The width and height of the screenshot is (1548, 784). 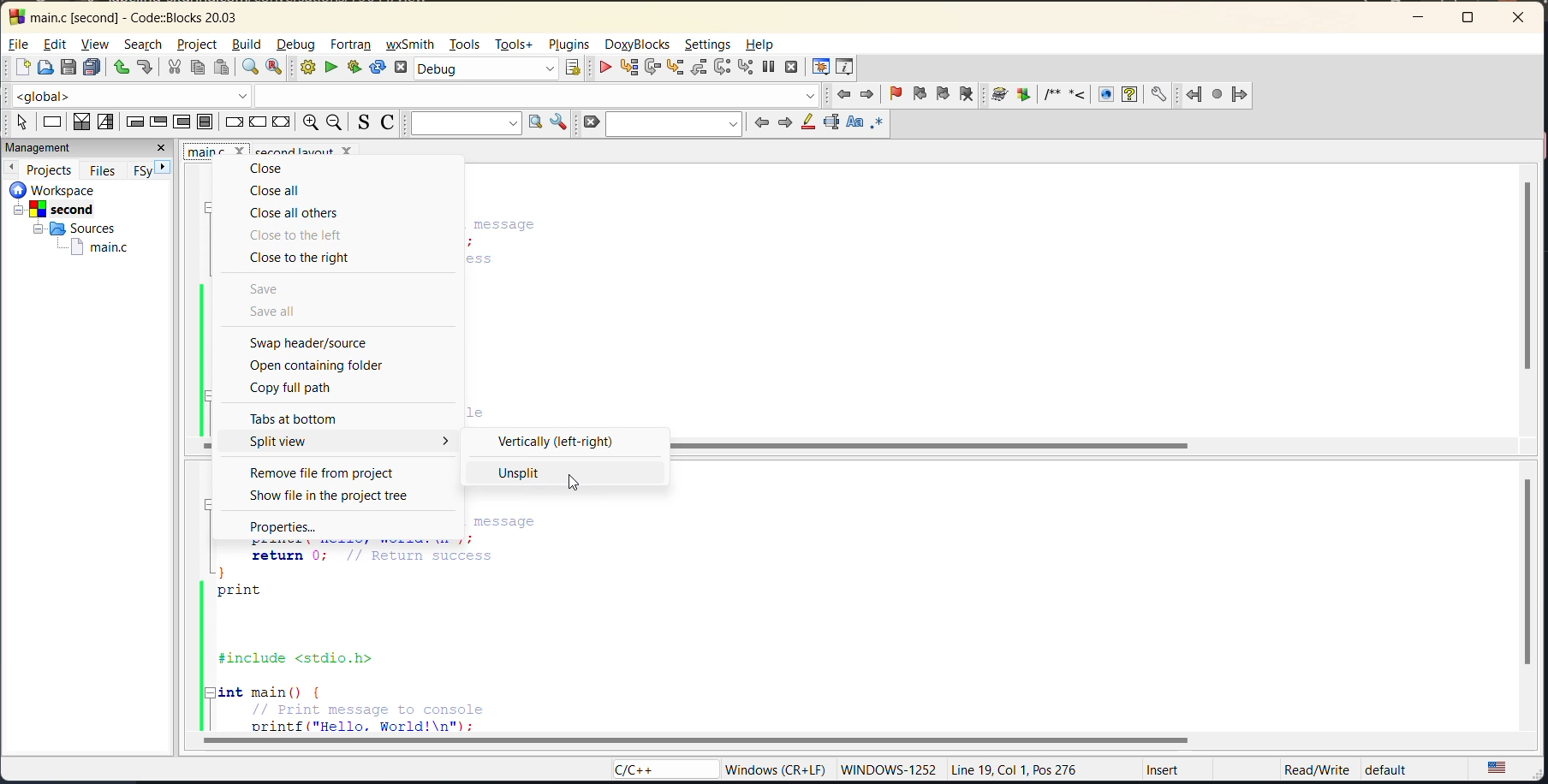 What do you see at coordinates (1017, 769) in the screenshot?
I see `Line 19, Col 1, Pos 276` at bounding box center [1017, 769].